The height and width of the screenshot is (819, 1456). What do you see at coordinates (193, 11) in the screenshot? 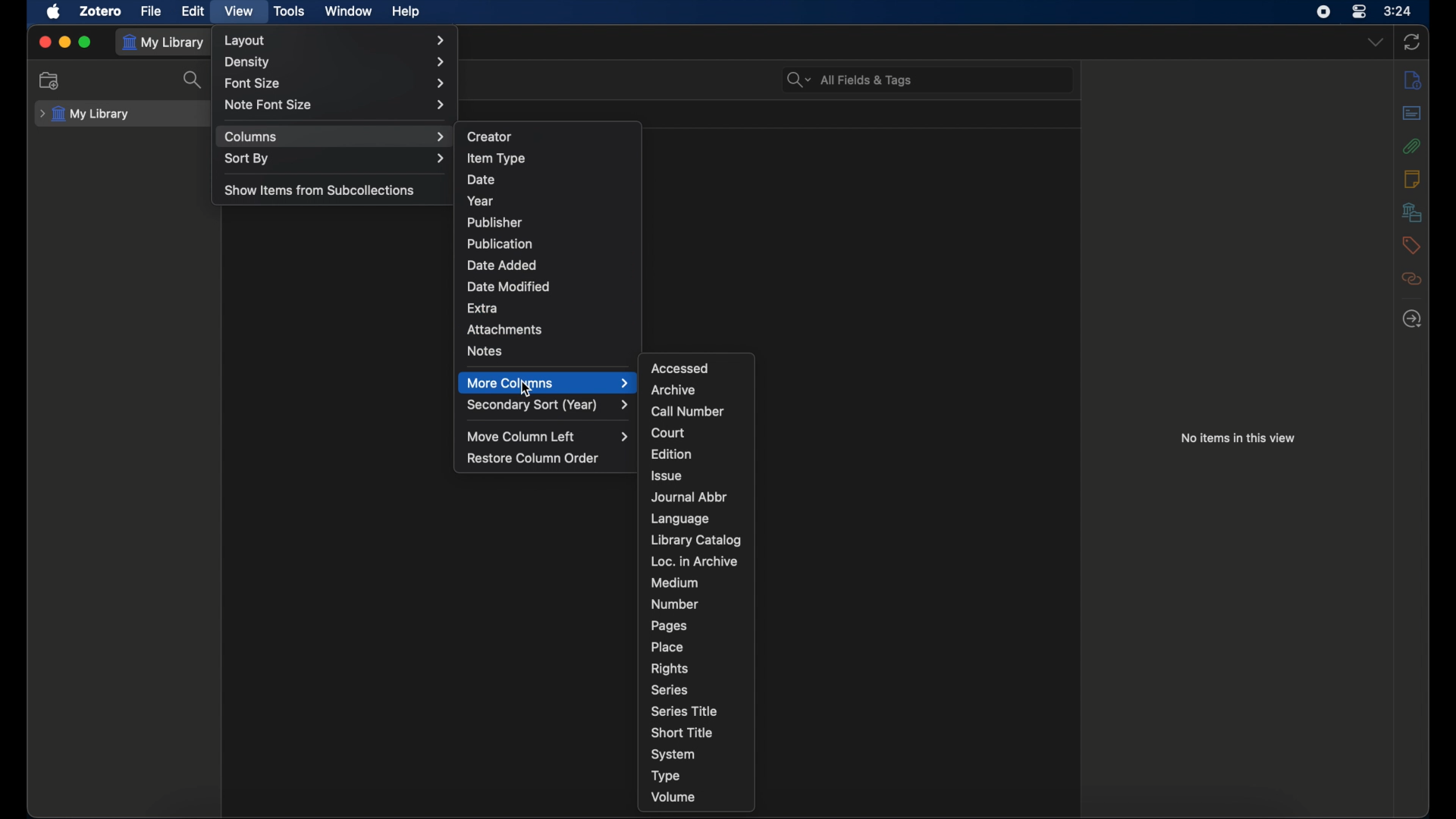
I see `edit` at bounding box center [193, 11].